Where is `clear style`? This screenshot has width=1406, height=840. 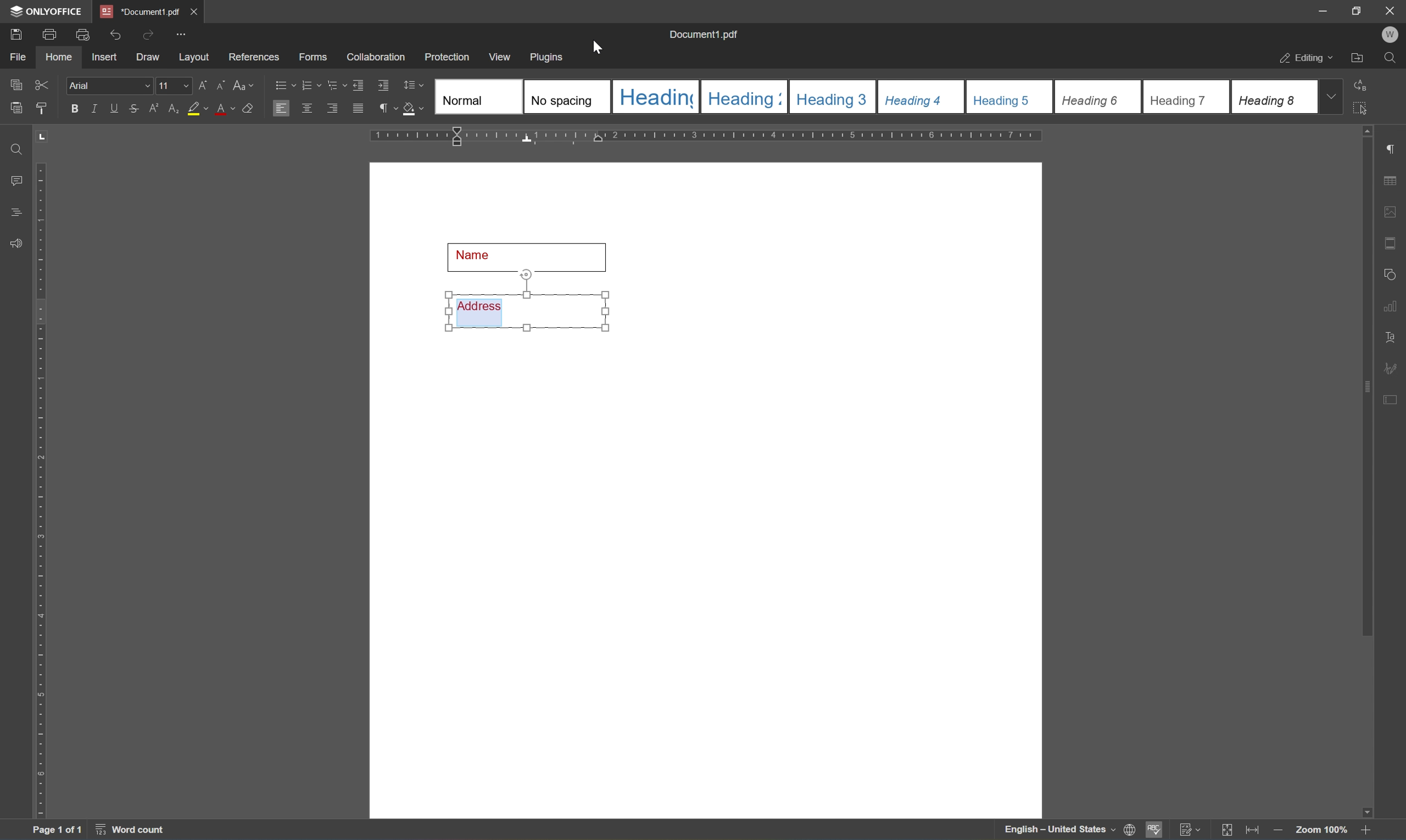
clear style is located at coordinates (251, 109).